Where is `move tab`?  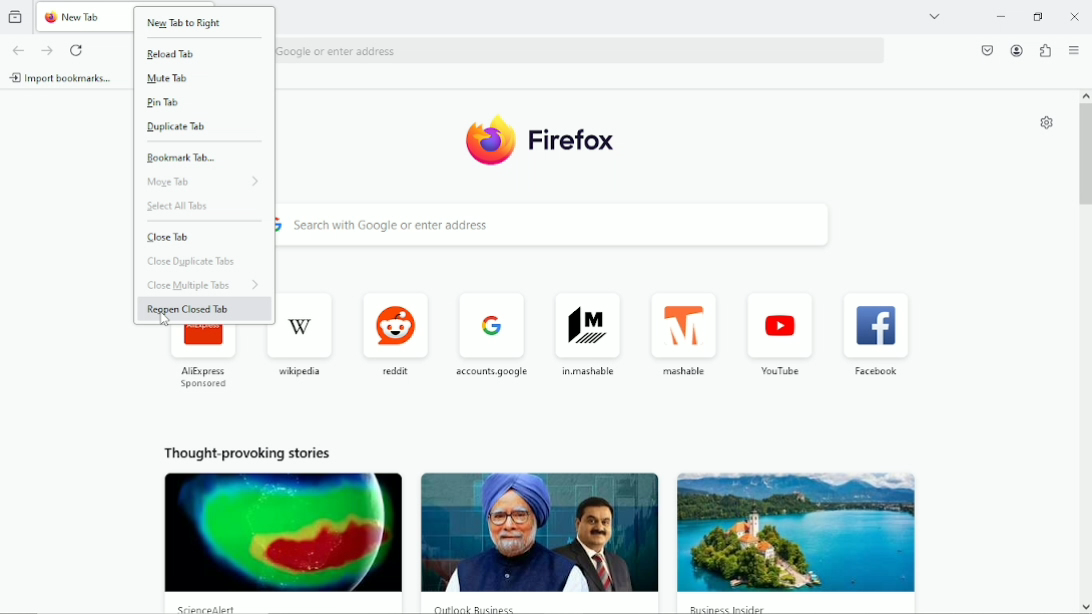
move tab is located at coordinates (202, 181).